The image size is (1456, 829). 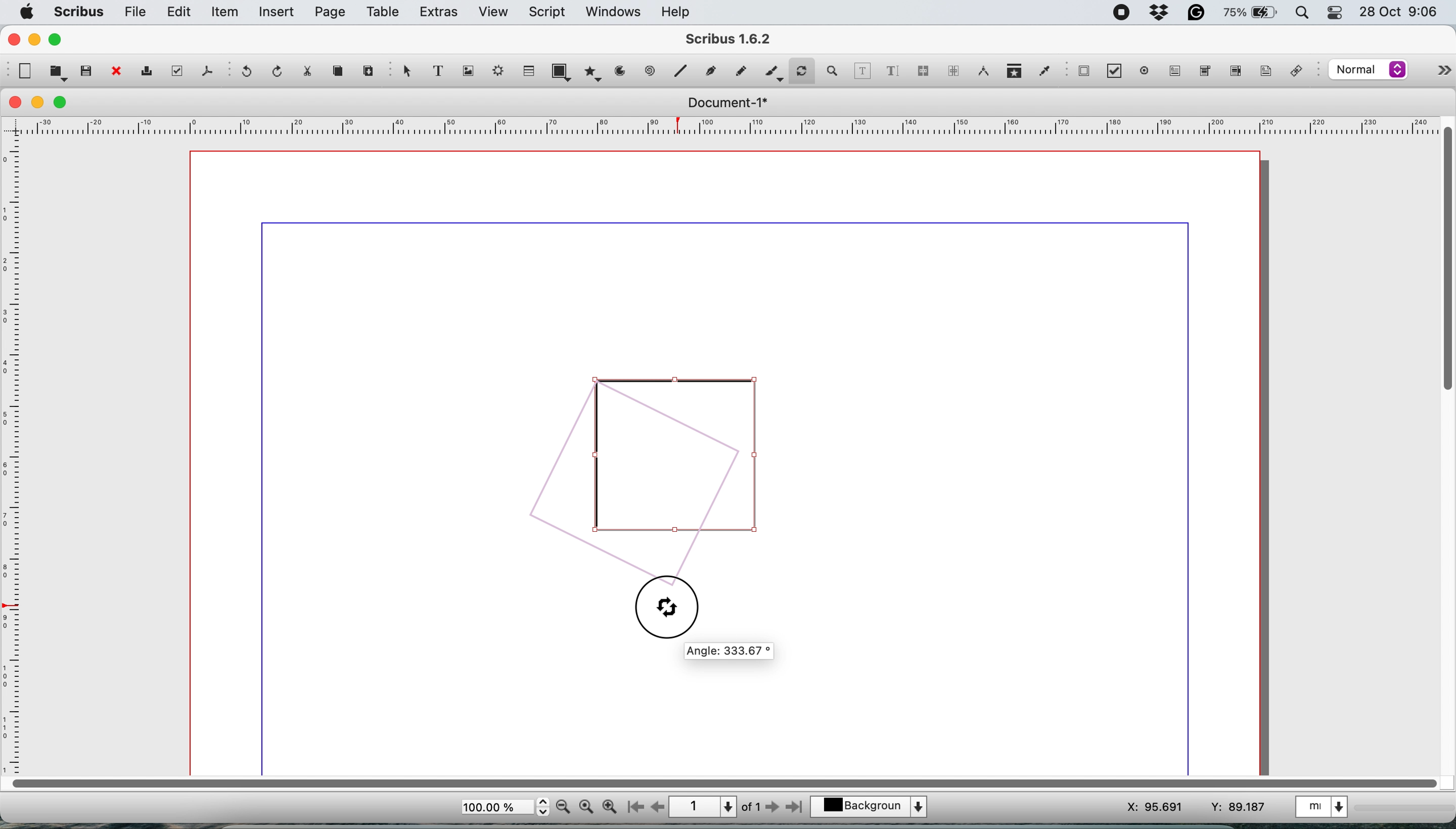 I want to click on screen recorder, so click(x=1119, y=11).